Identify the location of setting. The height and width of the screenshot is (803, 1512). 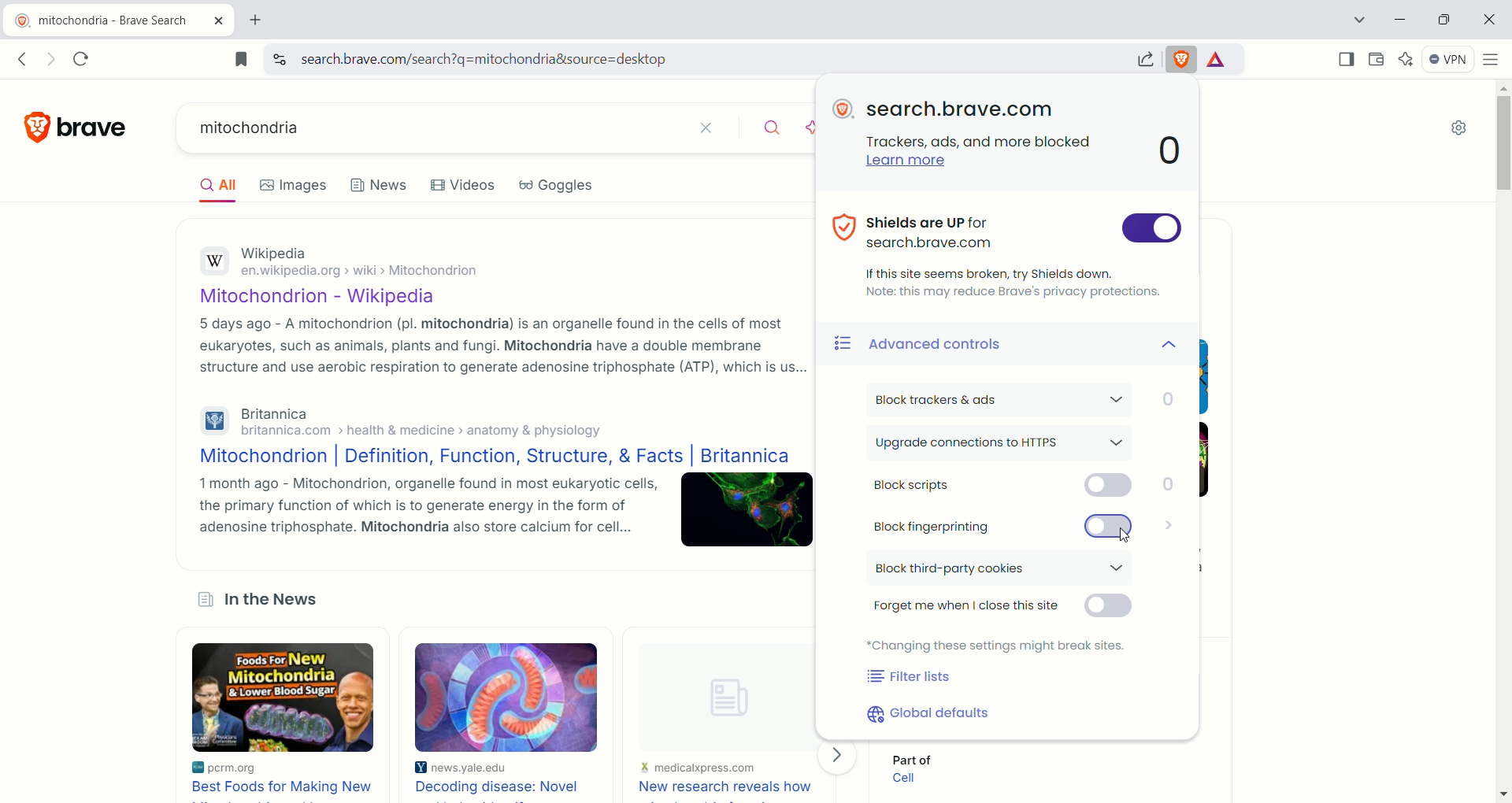
(1456, 131).